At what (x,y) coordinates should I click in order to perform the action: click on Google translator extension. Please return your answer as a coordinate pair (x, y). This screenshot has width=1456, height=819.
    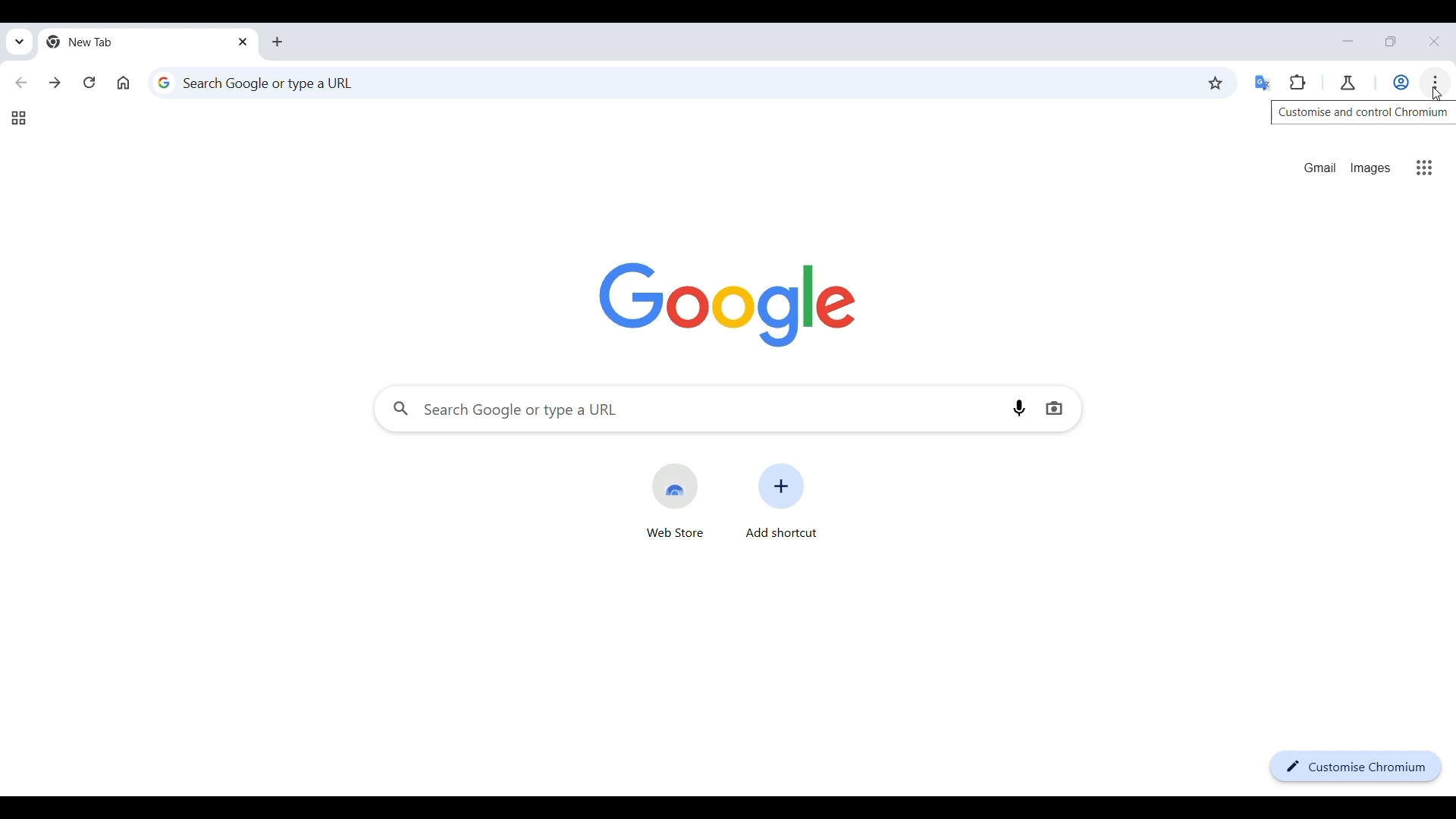
    Looking at the image, I should click on (1263, 83).